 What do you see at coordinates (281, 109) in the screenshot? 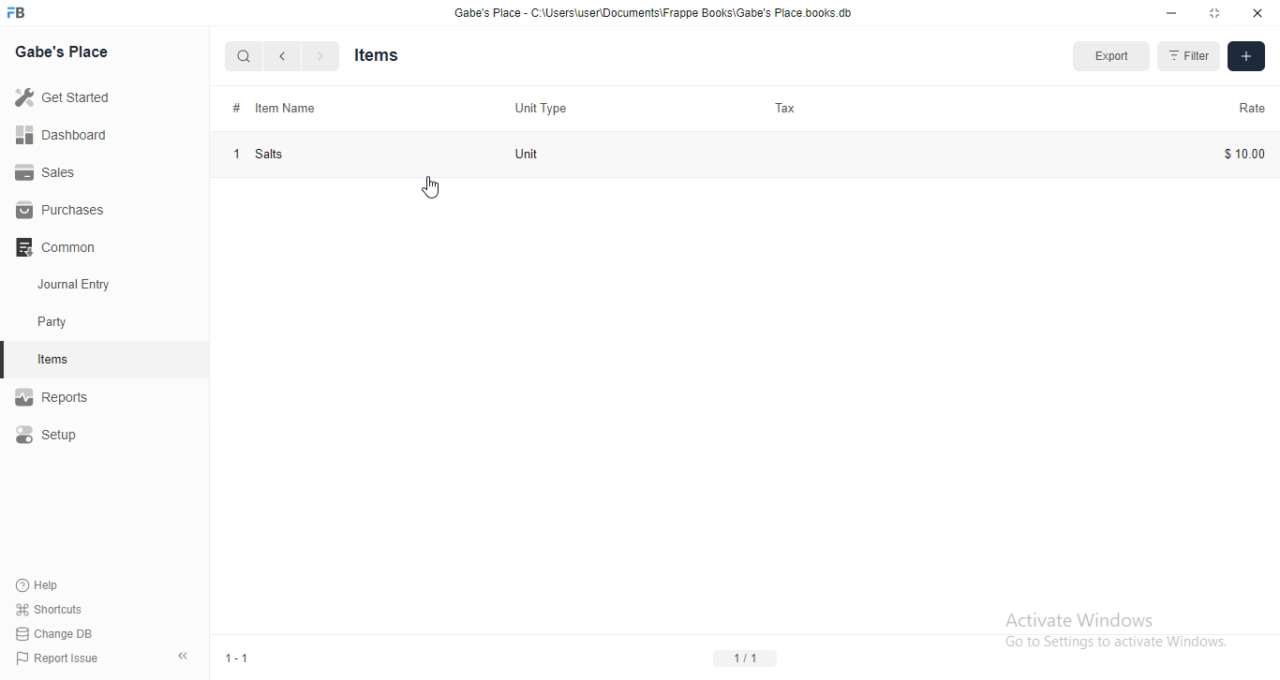
I see `Item Name` at bounding box center [281, 109].